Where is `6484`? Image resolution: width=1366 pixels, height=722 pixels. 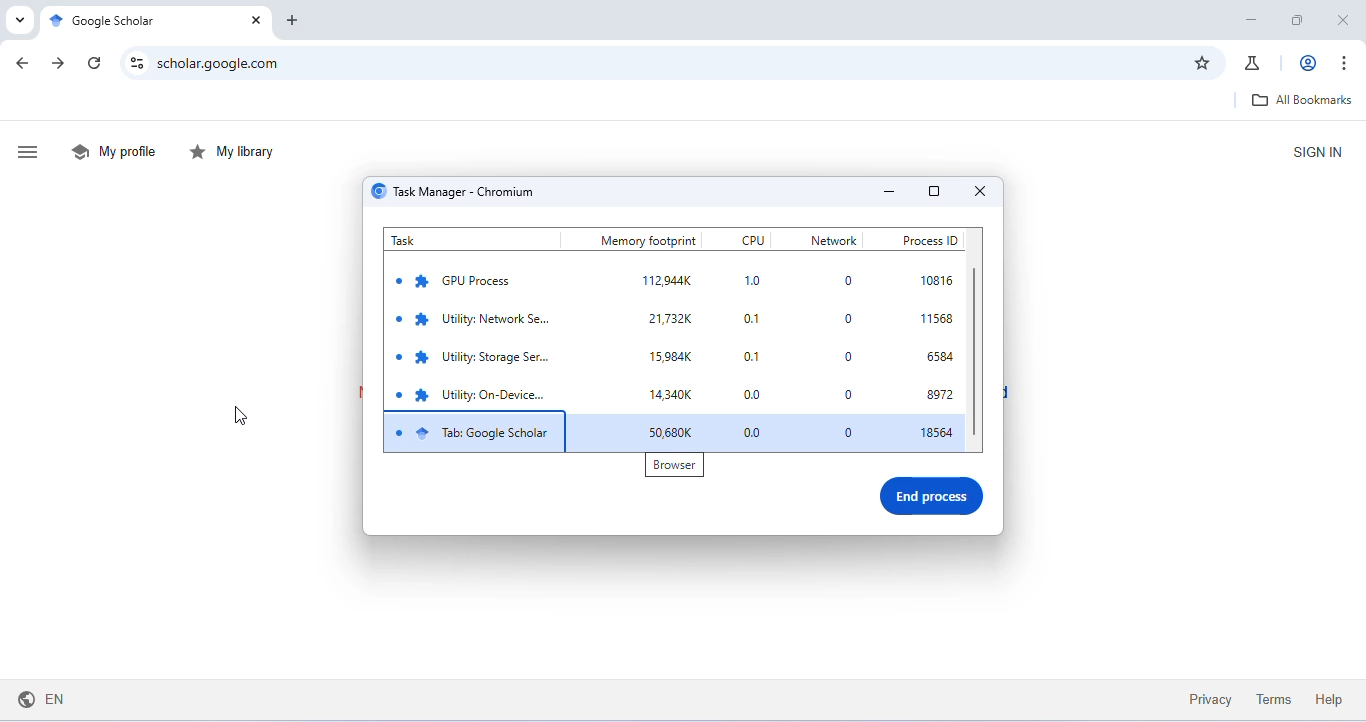 6484 is located at coordinates (939, 357).